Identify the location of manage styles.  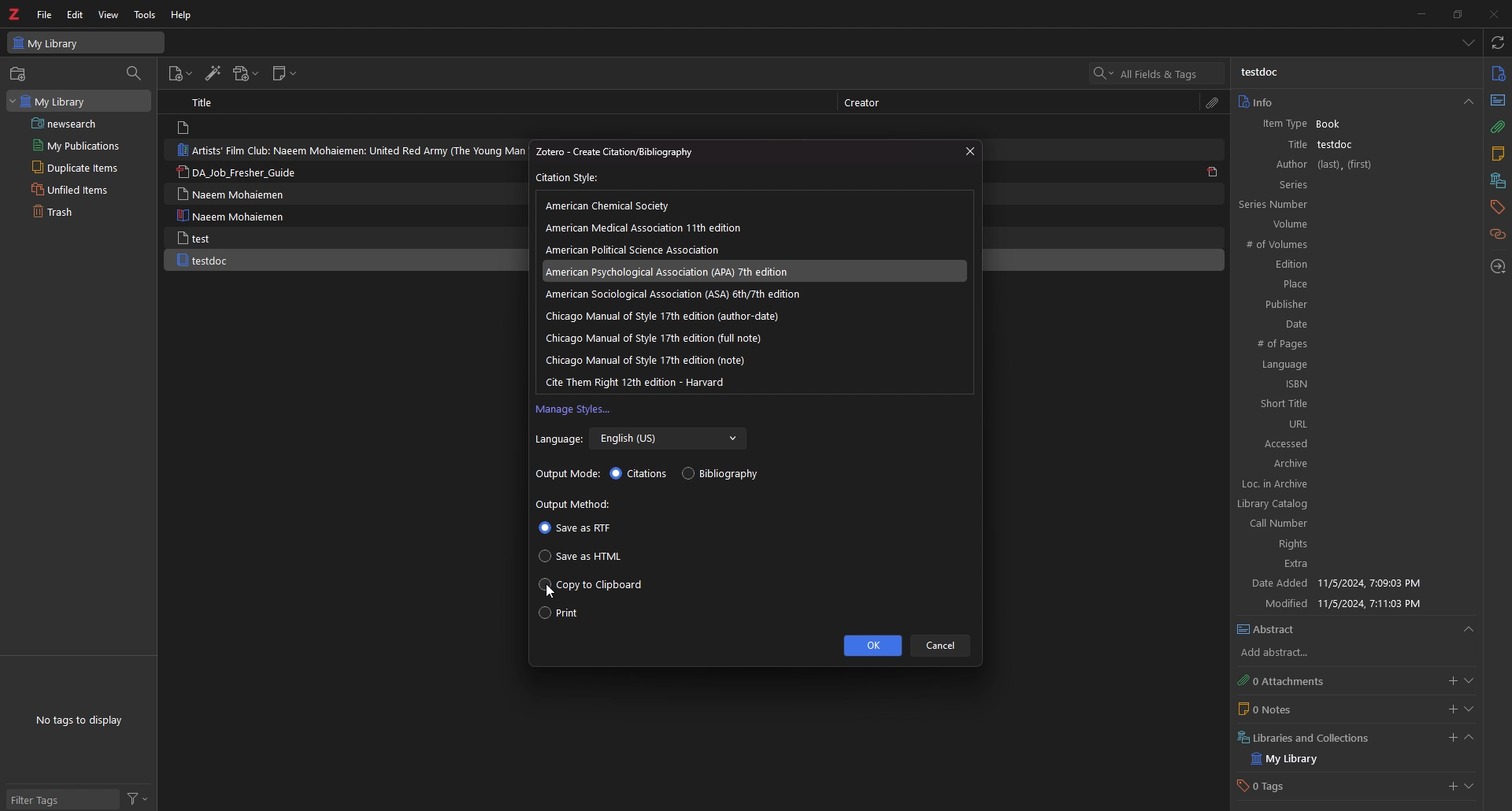
(574, 410).